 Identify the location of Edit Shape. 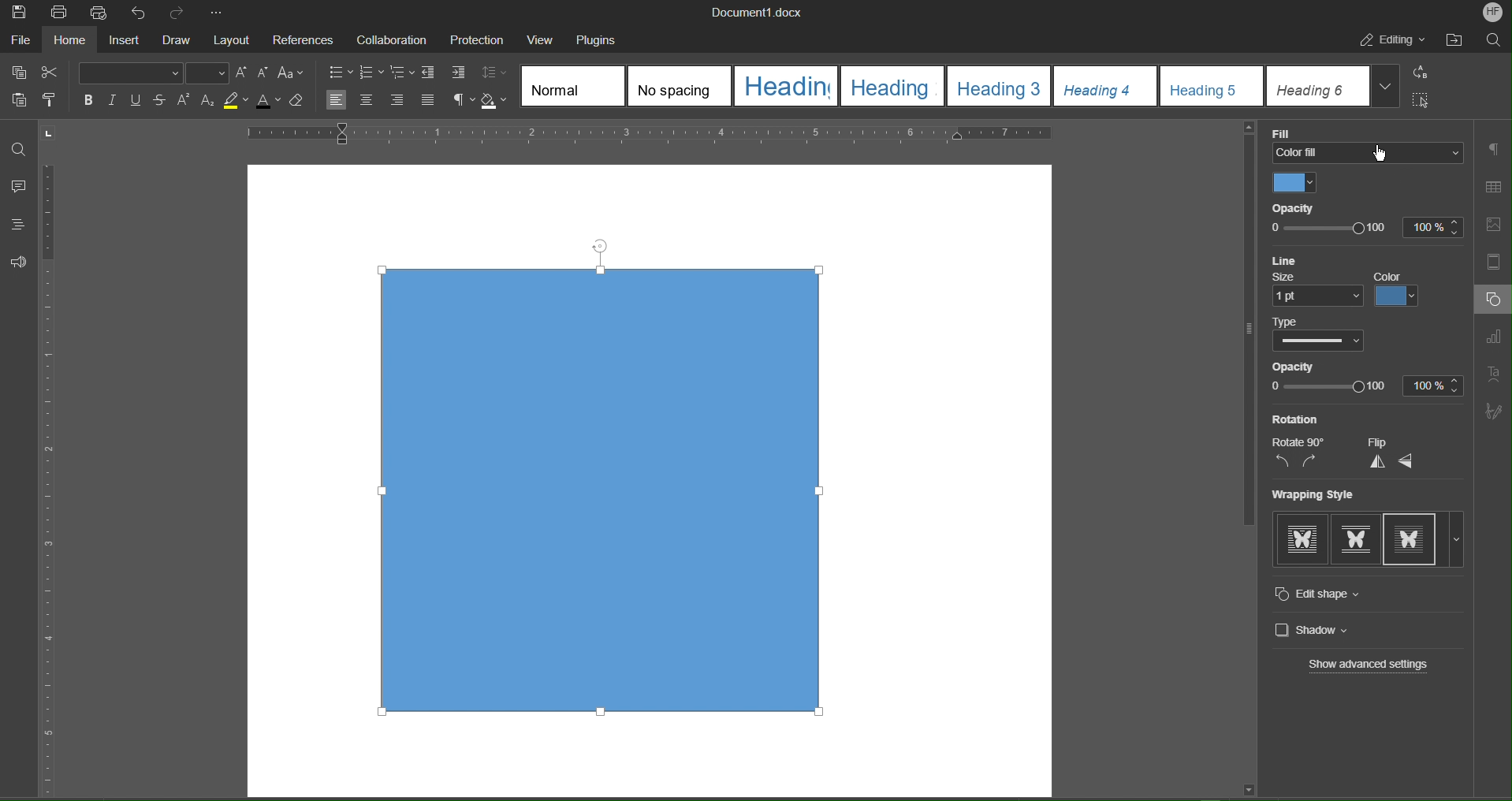
(1328, 594).